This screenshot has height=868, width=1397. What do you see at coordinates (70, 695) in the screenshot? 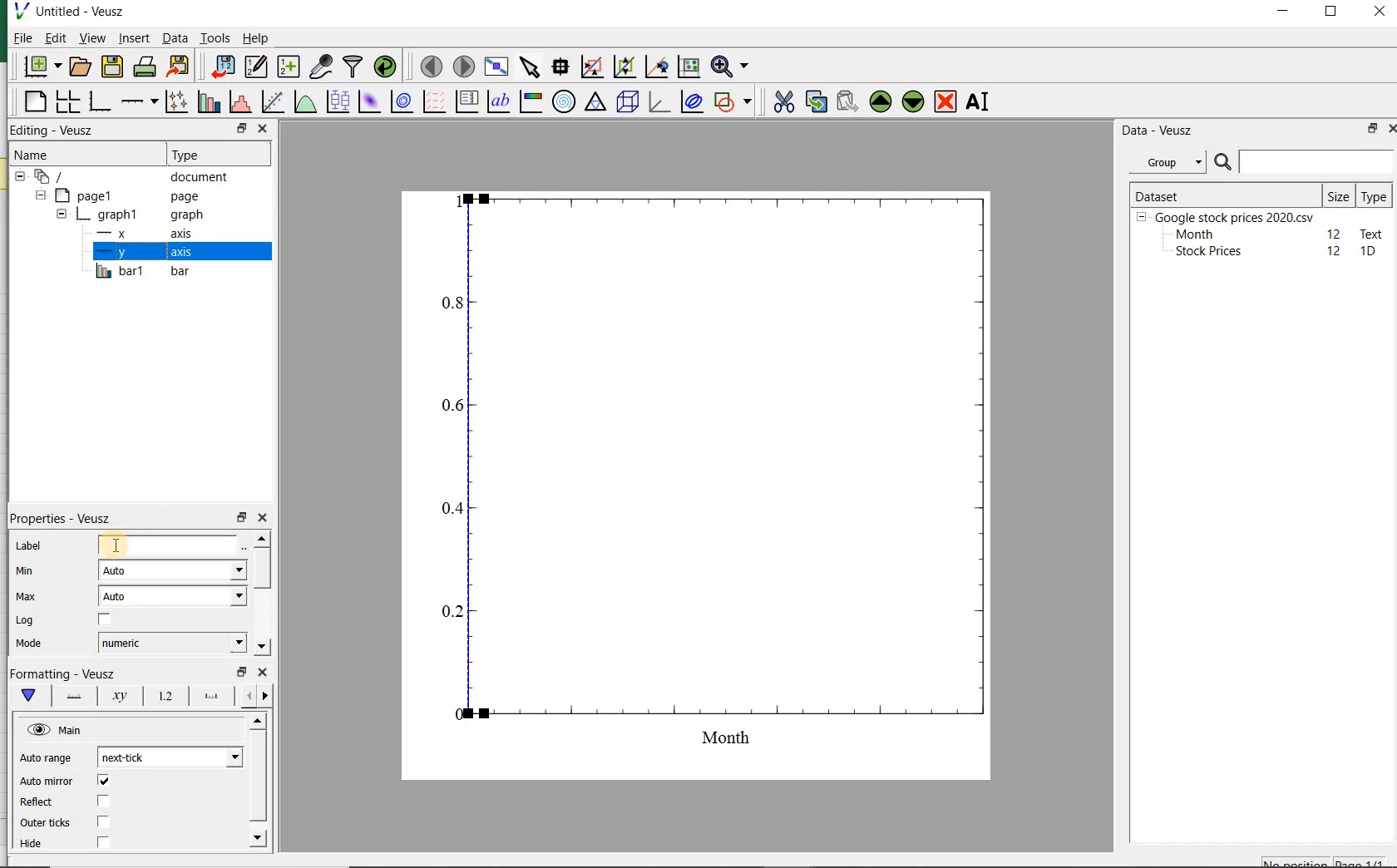
I see `axis line` at bounding box center [70, 695].